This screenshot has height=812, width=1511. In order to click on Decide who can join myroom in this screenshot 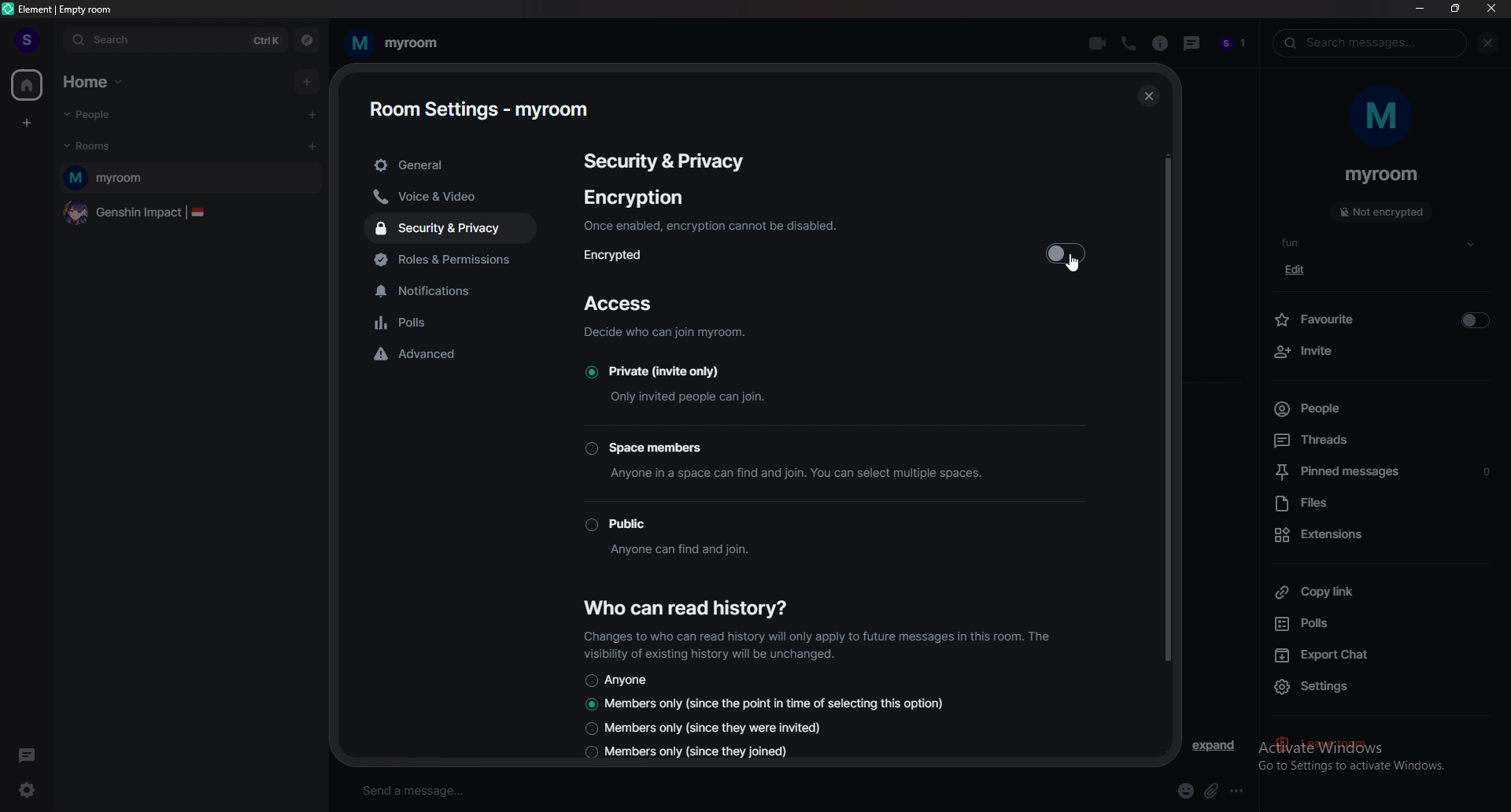, I will do `click(669, 331)`.